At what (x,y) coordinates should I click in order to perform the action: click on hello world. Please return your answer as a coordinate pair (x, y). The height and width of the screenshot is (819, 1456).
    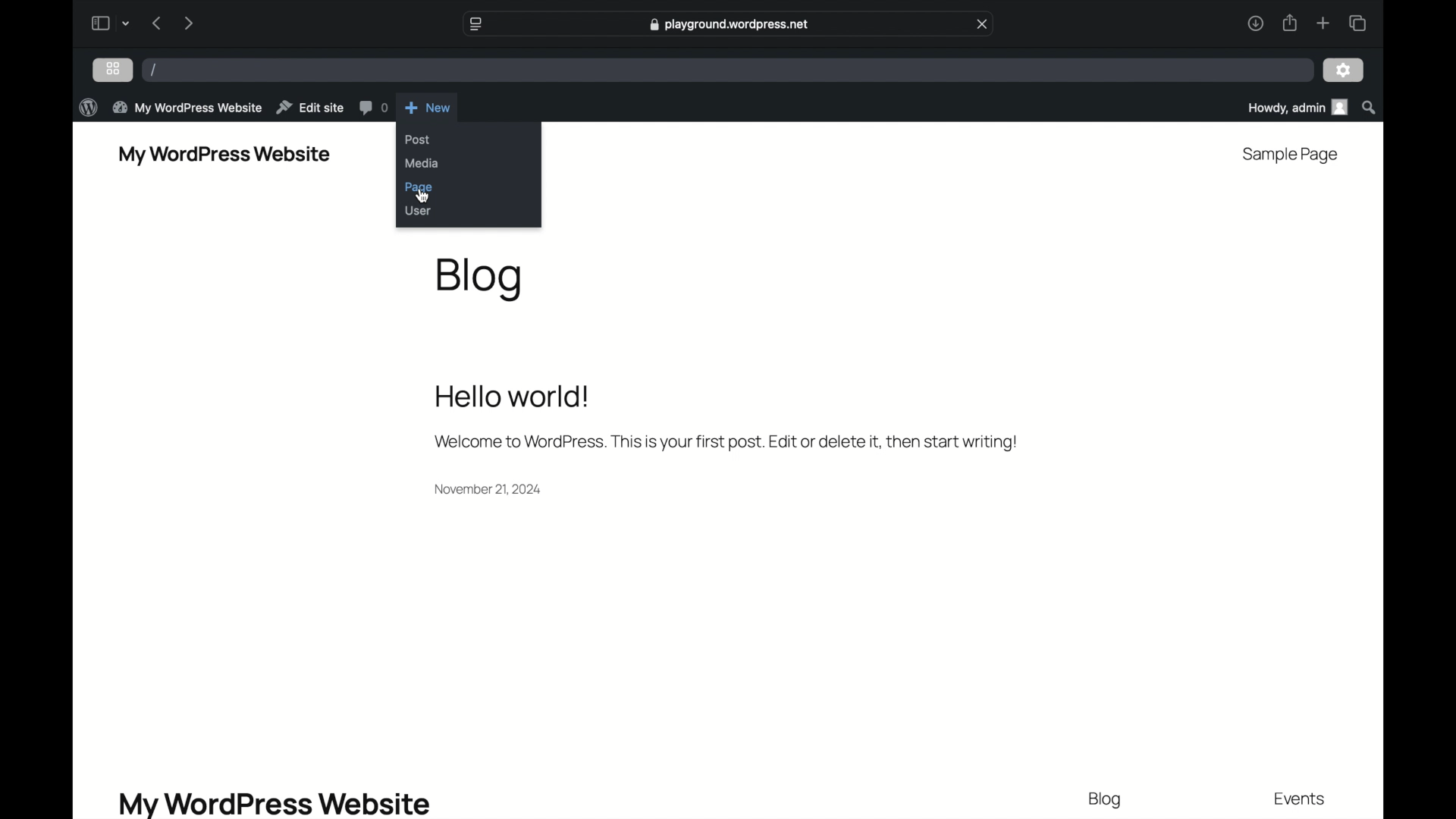
    Looking at the image, I should click on (513, 397).